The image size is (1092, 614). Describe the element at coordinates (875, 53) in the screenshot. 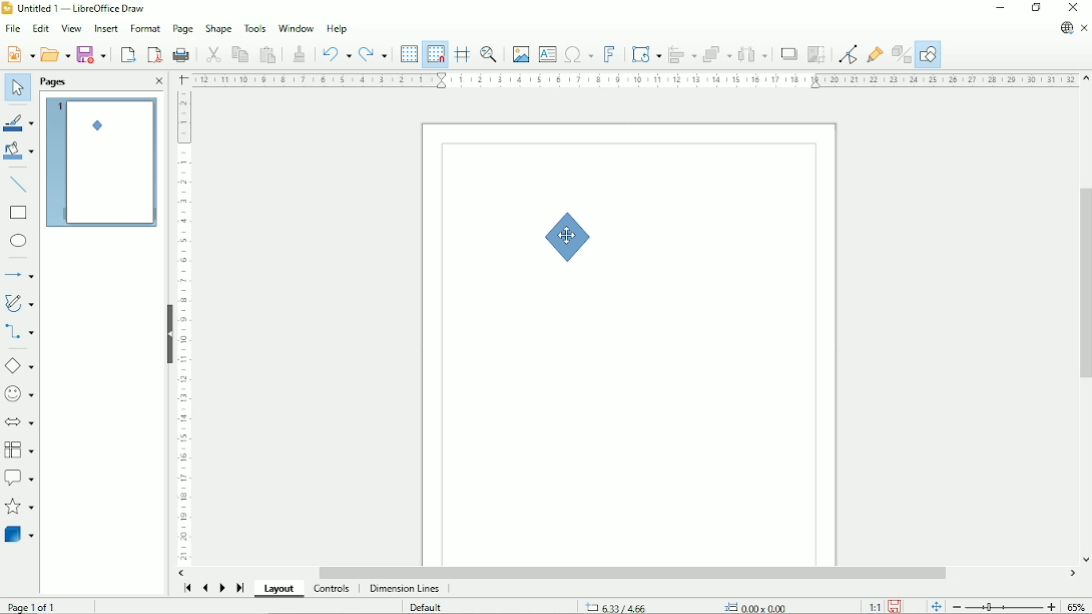

I see `Show gluepoint functions` at that location.